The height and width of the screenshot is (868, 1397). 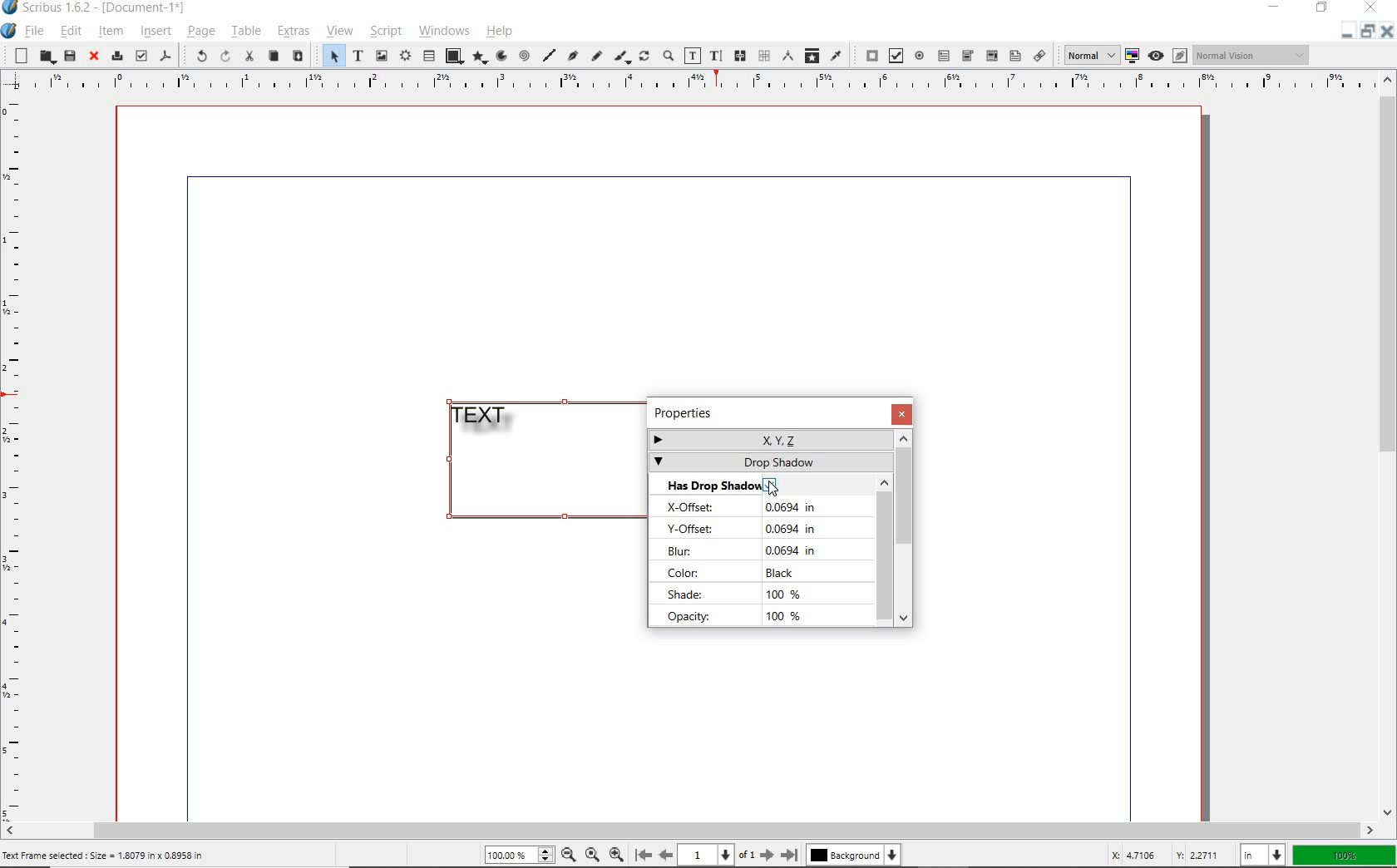 I want to click on Text Frame selected : Size = 1.8079 in x 0.8958 in, so click(x=105, y=856).